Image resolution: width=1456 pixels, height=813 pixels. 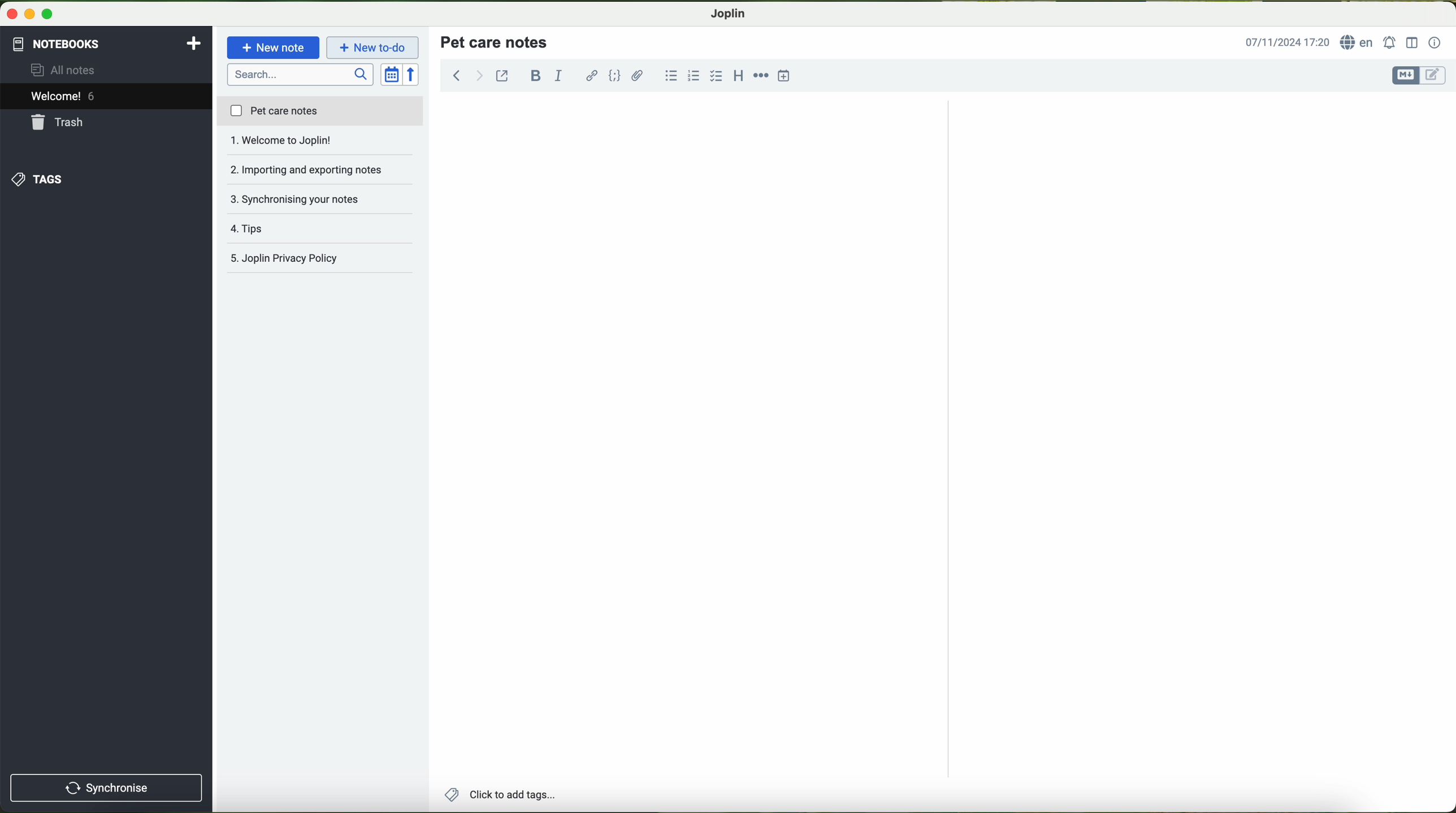 What do you see at coordinates (1418, 76) in the screenshot?
I see `toggle editors` at bounding box center [1418, 76].